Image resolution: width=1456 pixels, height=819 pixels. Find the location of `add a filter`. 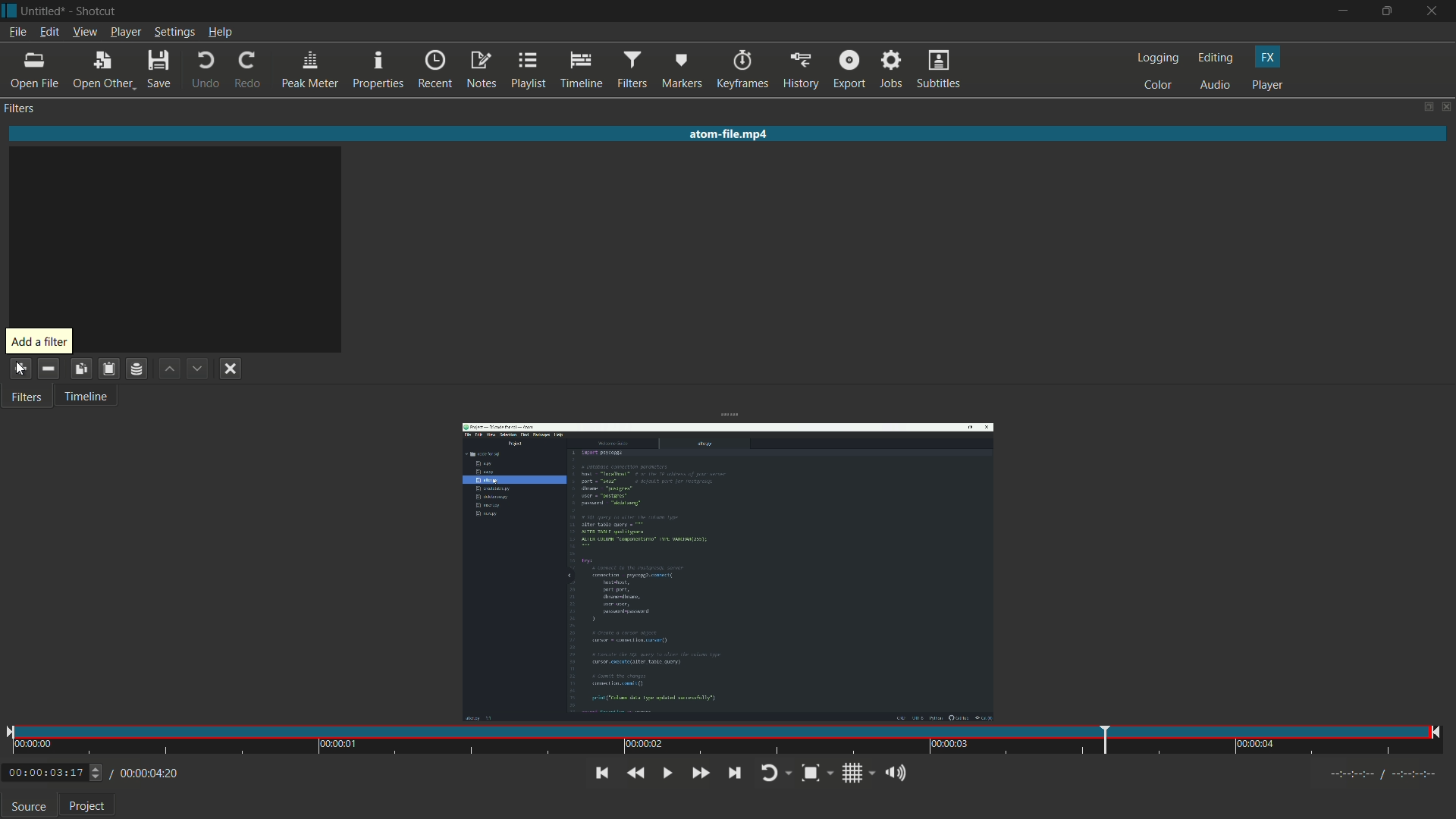

add a filter is located at coordinates (38, 342).